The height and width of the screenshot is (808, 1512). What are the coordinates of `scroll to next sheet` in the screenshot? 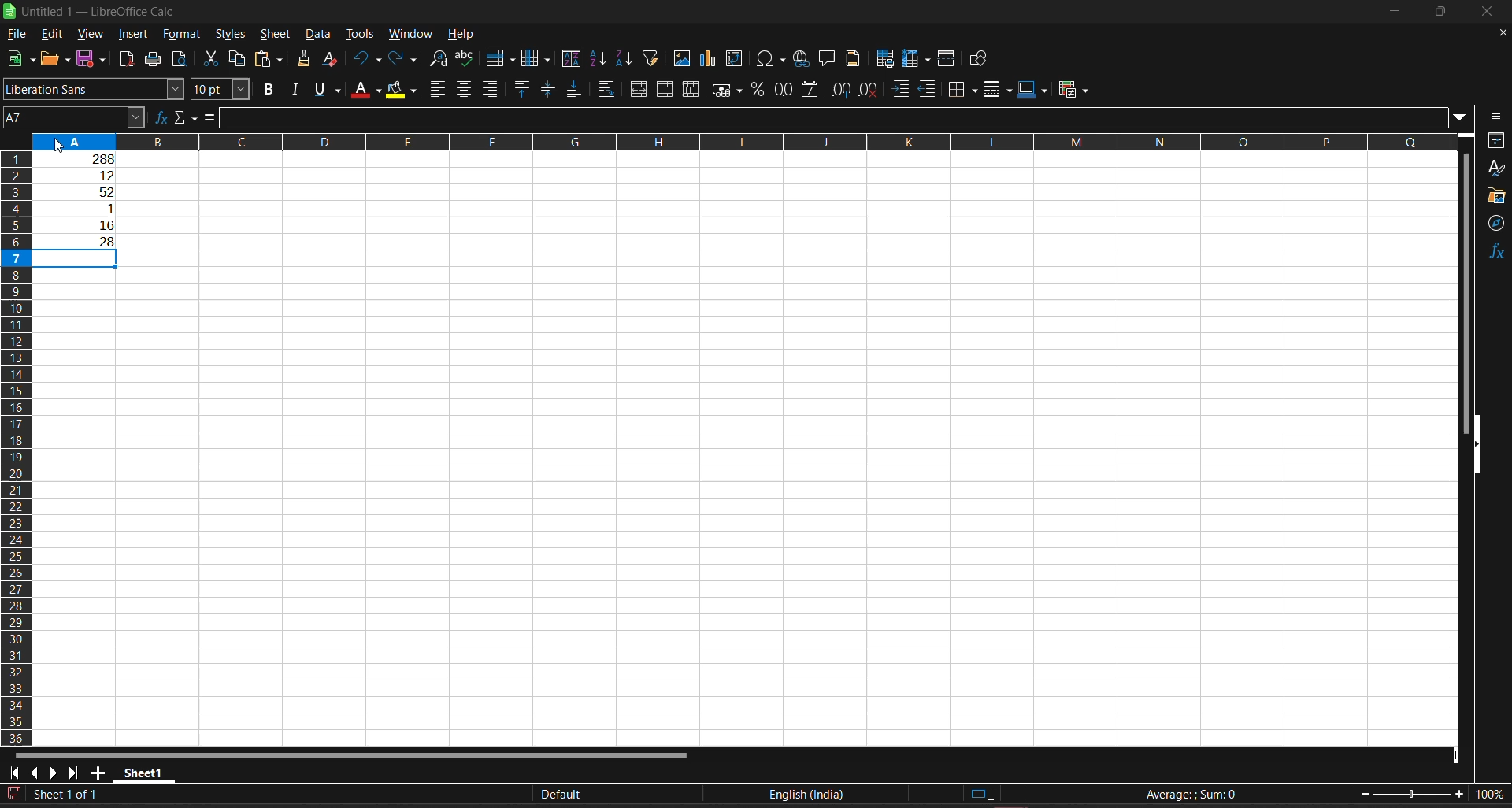 It's located at (52, 770).